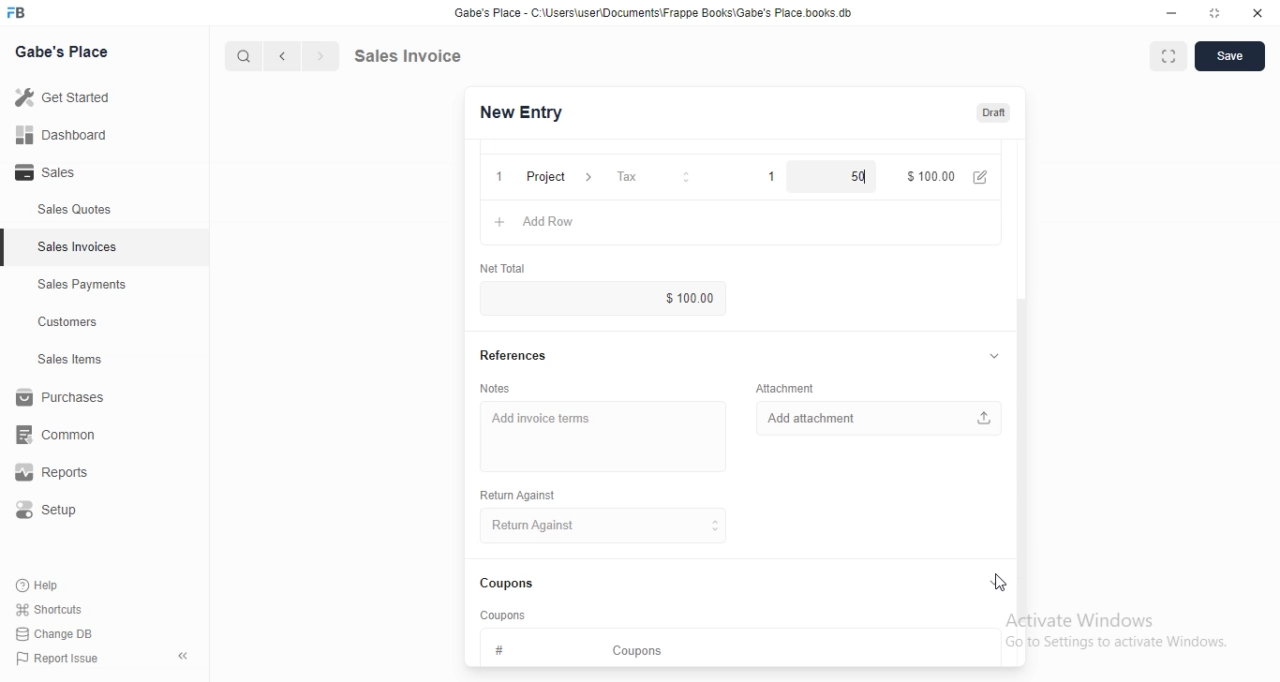 Image resolution: width=1280 pixels, height=682 pixels. I want to click on - Sales, so click(64, 175).